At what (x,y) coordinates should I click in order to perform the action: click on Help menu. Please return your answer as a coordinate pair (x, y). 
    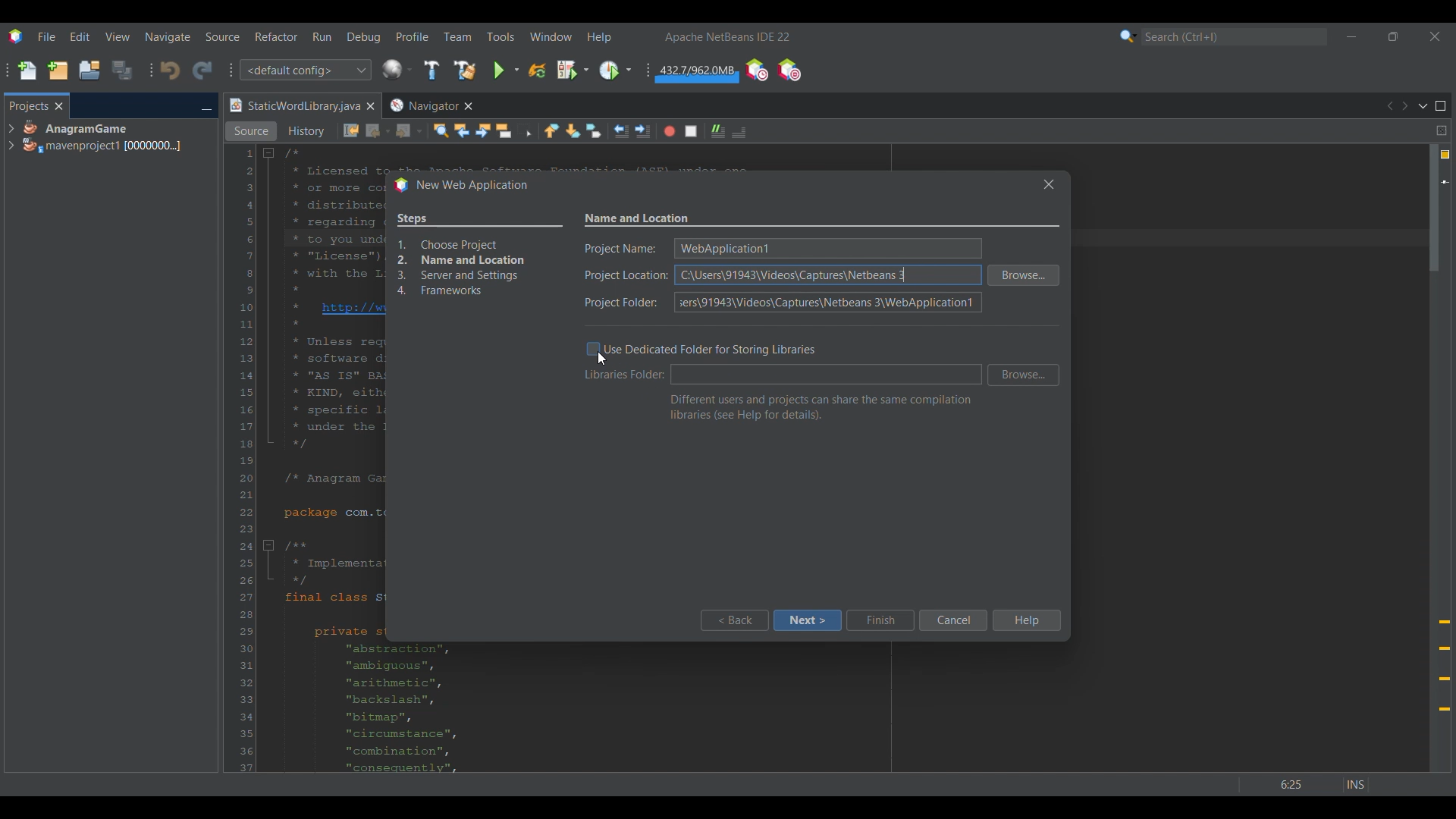
    Looking at the image, I should click on (599, 37).